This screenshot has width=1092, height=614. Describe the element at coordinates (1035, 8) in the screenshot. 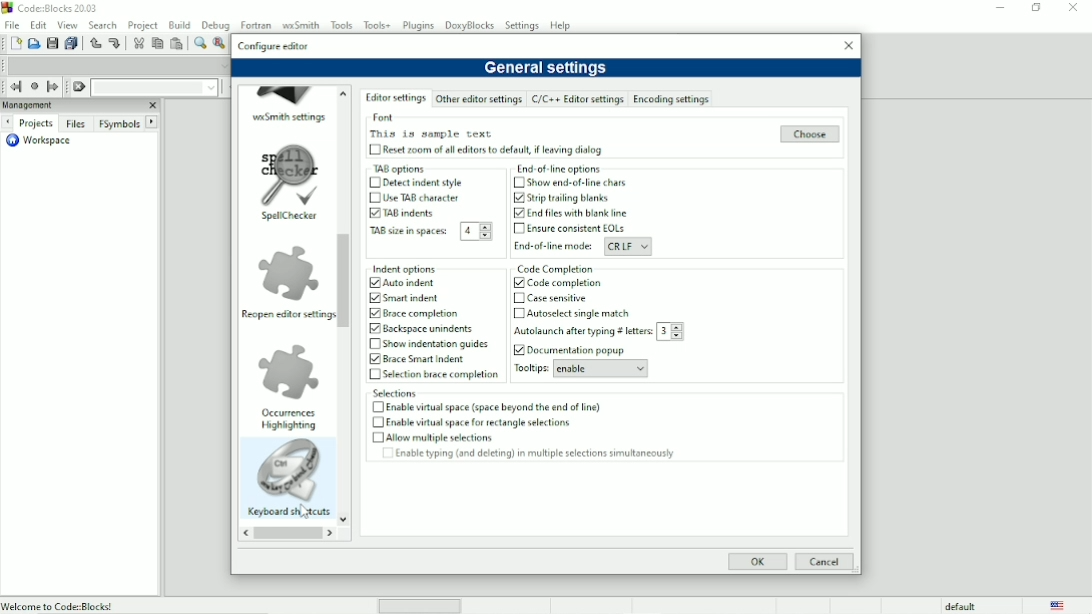

I see `Maximize` at that location.